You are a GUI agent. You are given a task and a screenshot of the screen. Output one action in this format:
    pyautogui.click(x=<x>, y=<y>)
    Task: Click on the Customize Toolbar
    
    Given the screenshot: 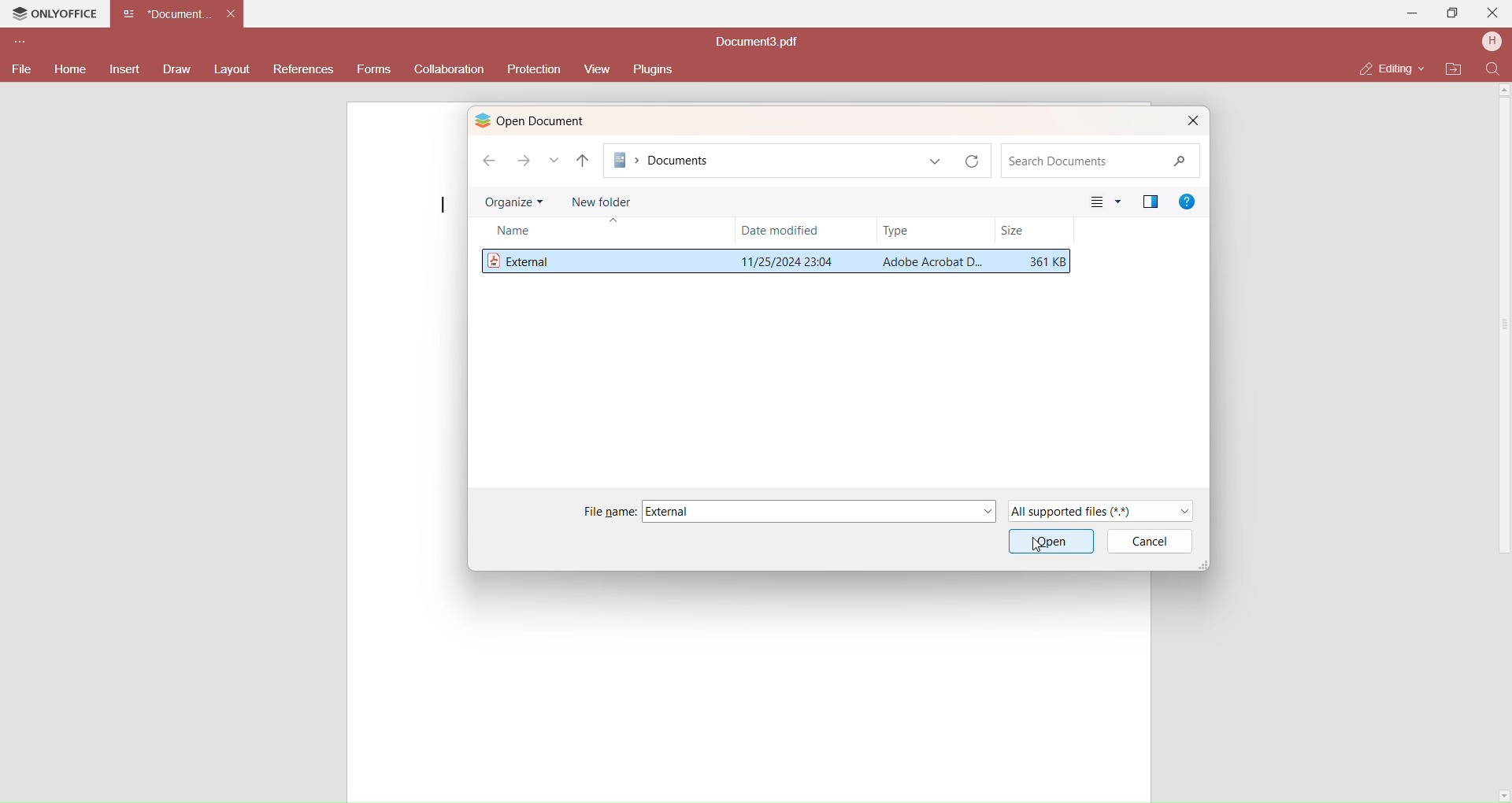 What is the action you would take?
    pyautogui.click(x=18, y=44)
    